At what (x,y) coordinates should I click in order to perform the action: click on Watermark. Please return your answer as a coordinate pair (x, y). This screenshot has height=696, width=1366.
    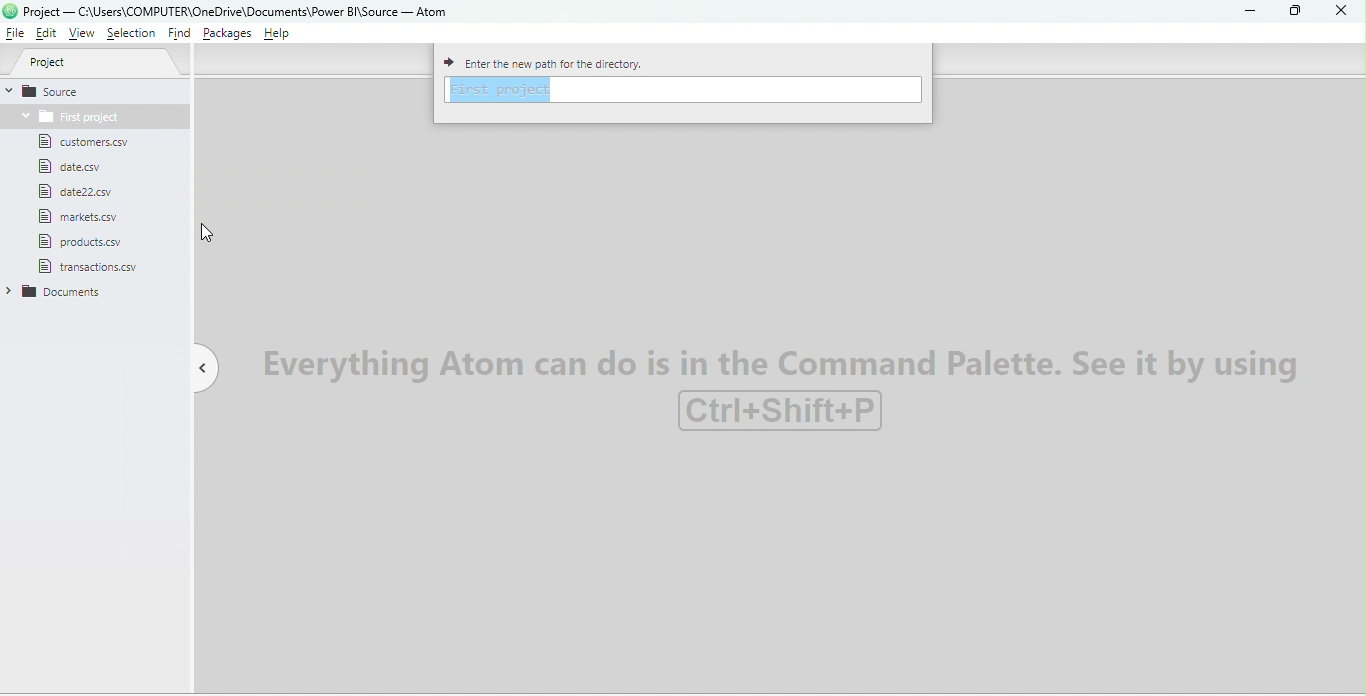
    Looking at the image, I should click on (786, 386).